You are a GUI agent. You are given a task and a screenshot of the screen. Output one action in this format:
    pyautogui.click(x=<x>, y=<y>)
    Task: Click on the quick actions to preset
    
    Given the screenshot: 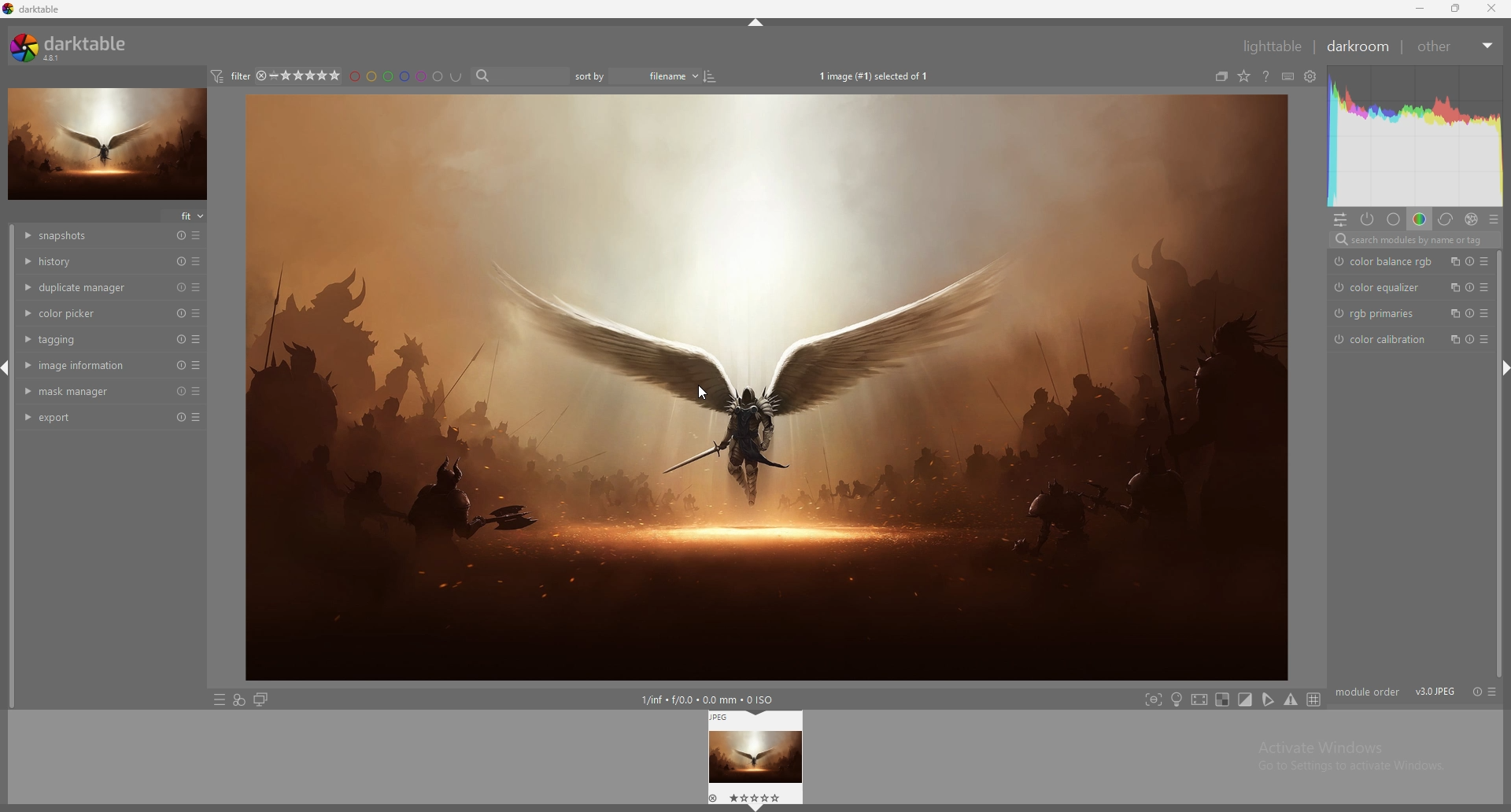 What is the action you would take?
    pyautogui.click(x=218, y=700)
    